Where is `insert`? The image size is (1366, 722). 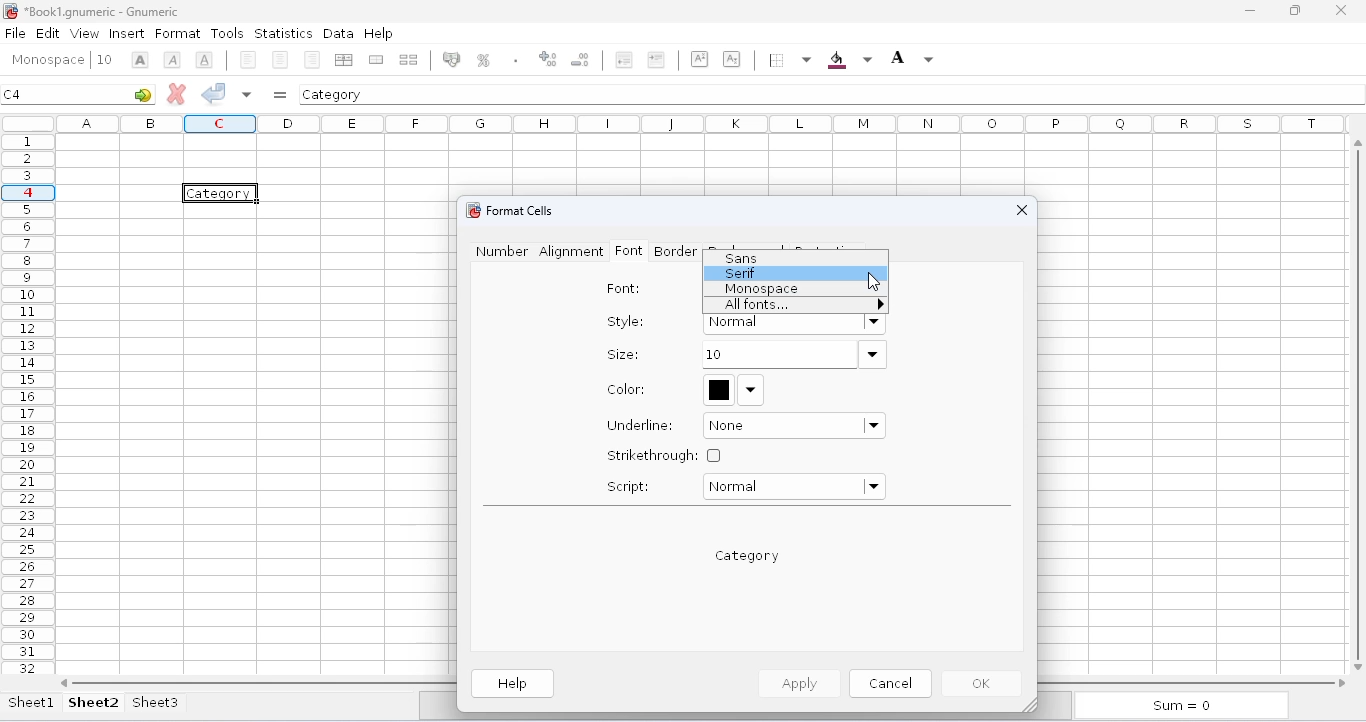
insert is located at coordinates (127, 34).